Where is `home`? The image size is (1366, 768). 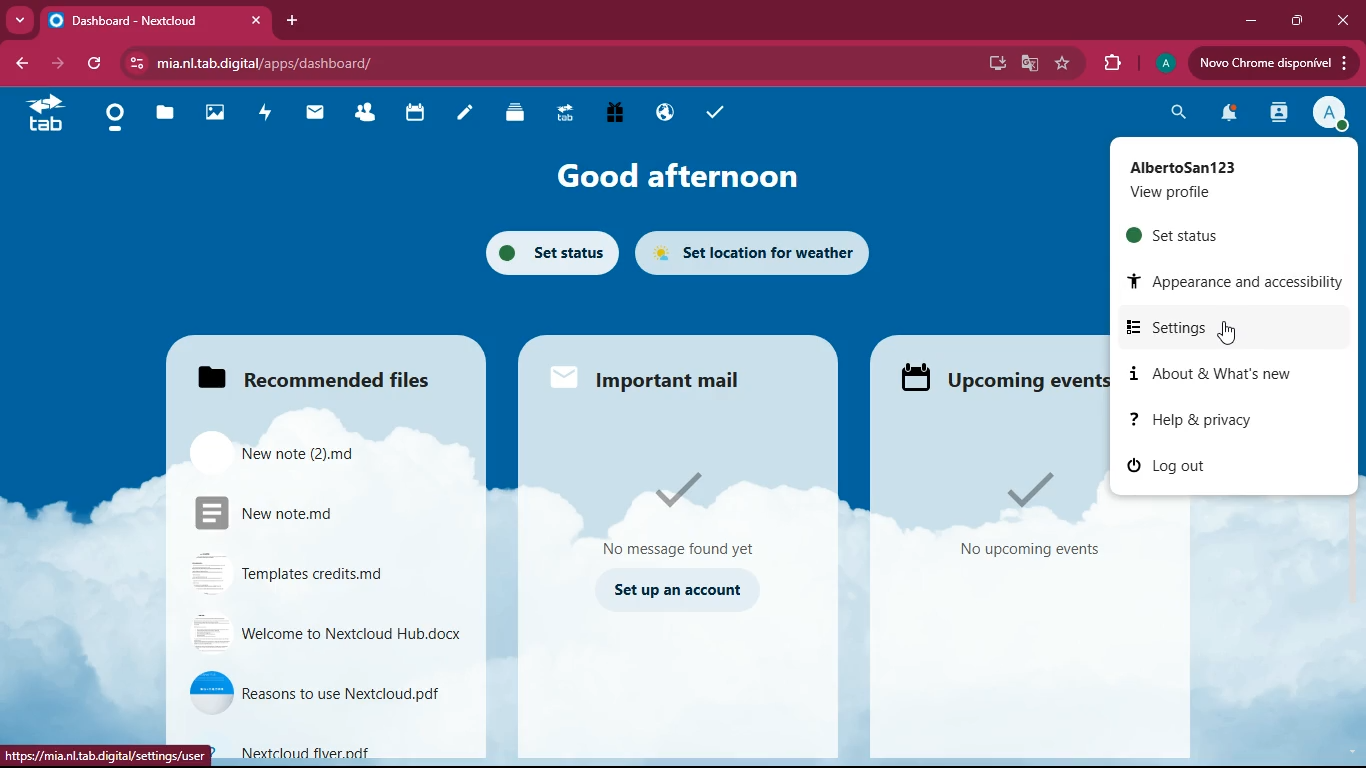 home is located at coordinates (108, 118).